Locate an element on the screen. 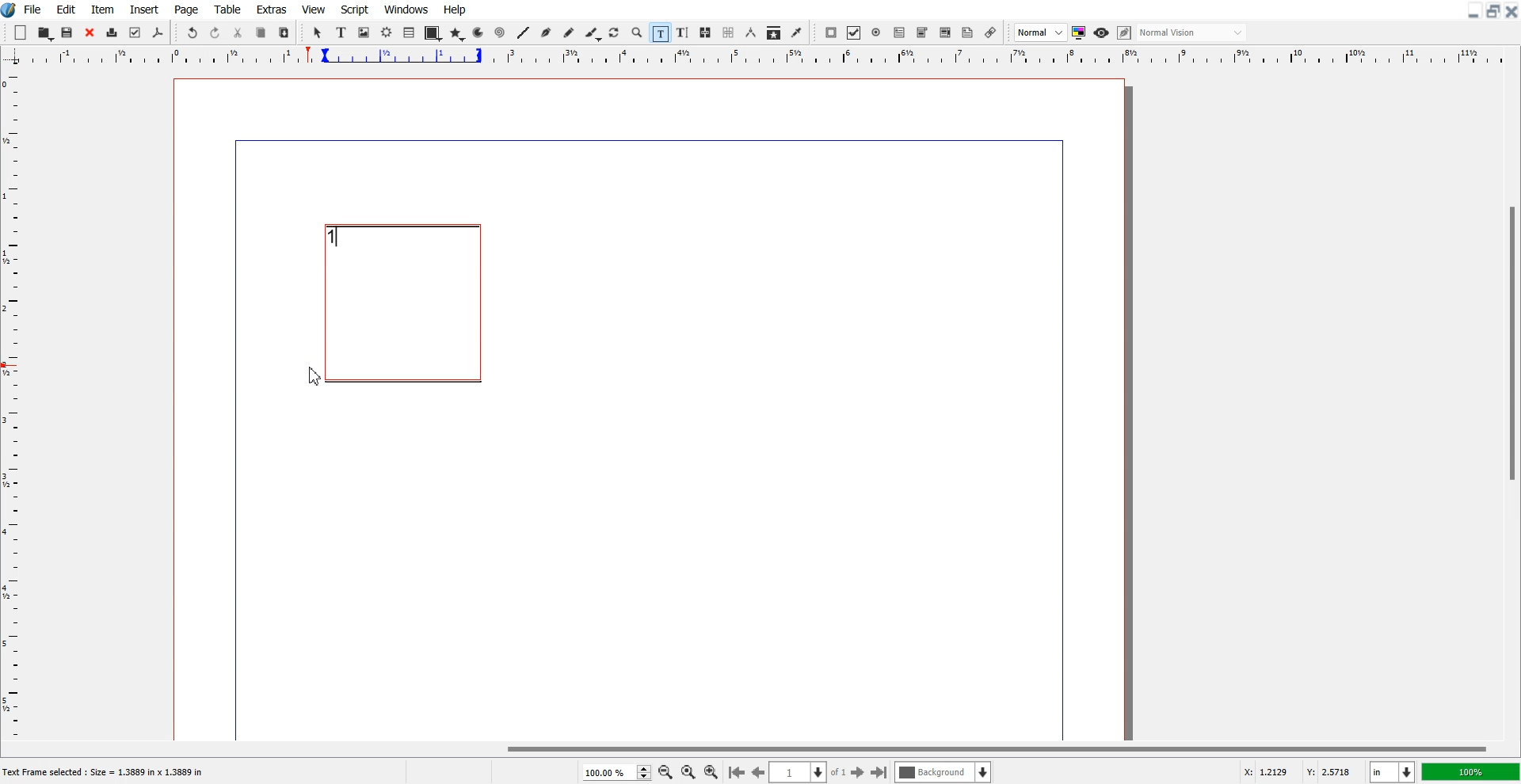  PDF Text field is located at coordinates (922, 33).